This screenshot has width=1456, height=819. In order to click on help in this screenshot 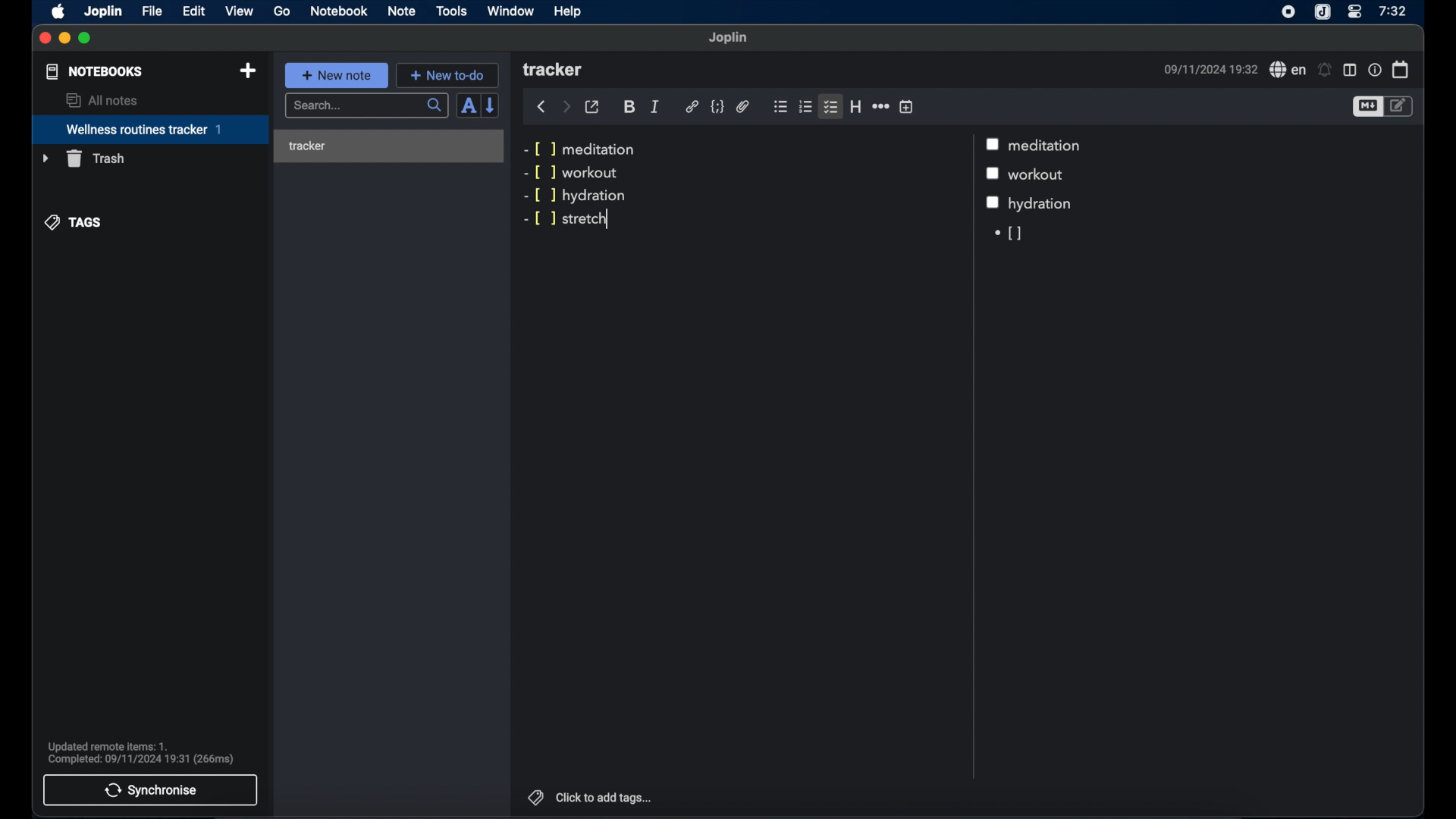, I will do `click(569, 11)`.